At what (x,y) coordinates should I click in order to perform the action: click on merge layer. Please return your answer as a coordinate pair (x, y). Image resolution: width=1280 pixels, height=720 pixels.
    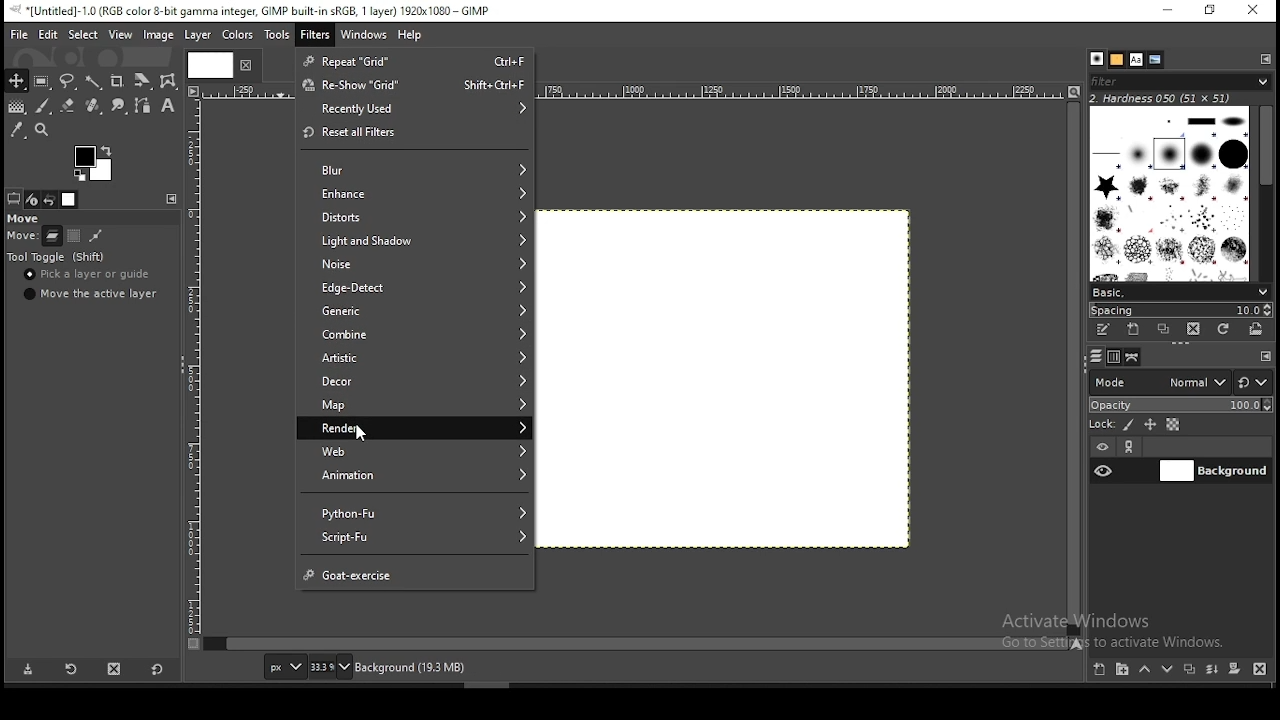
    Looking at the image, I should click on (1211, 671).